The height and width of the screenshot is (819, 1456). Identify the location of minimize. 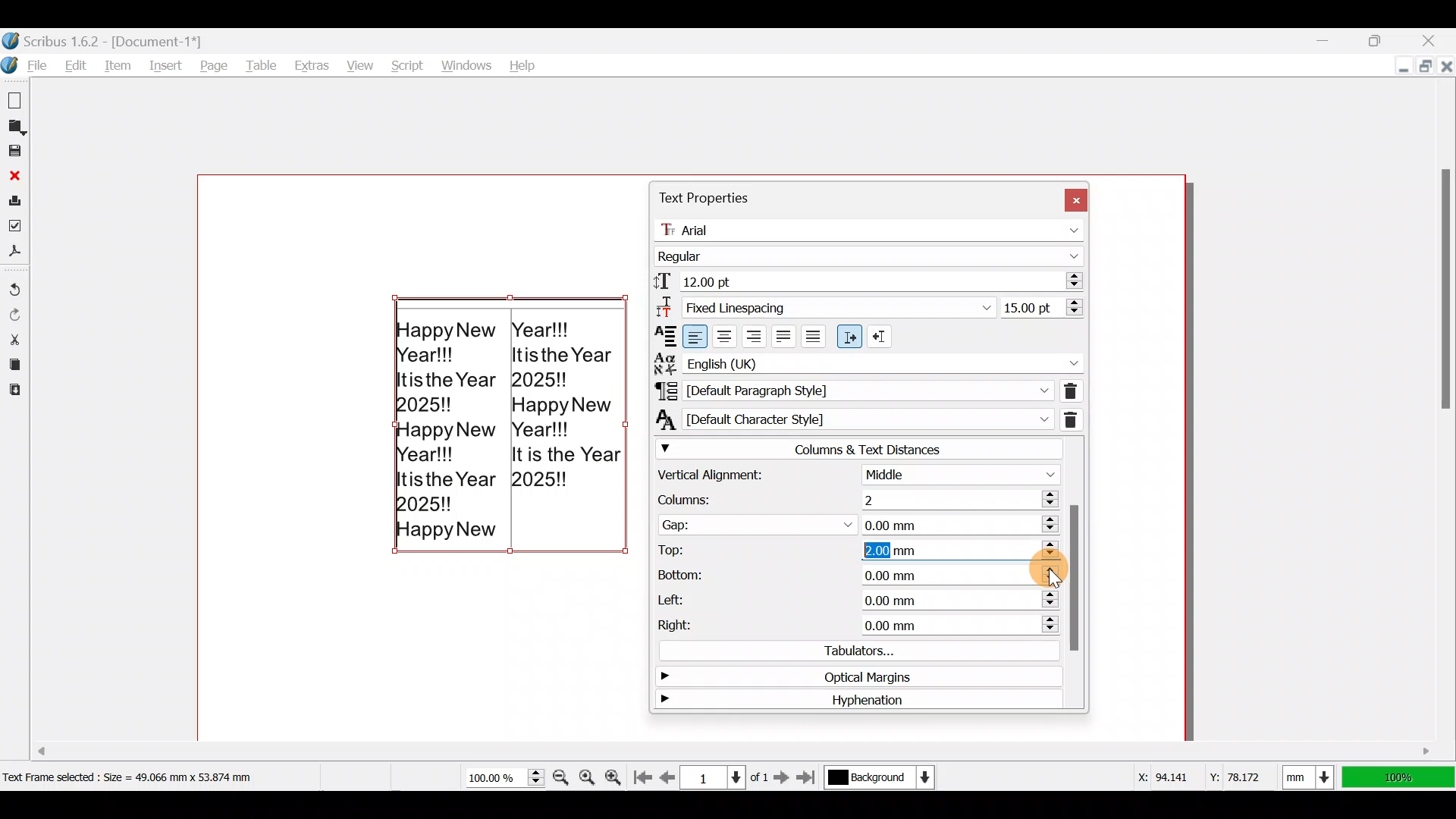
(1392, 67).